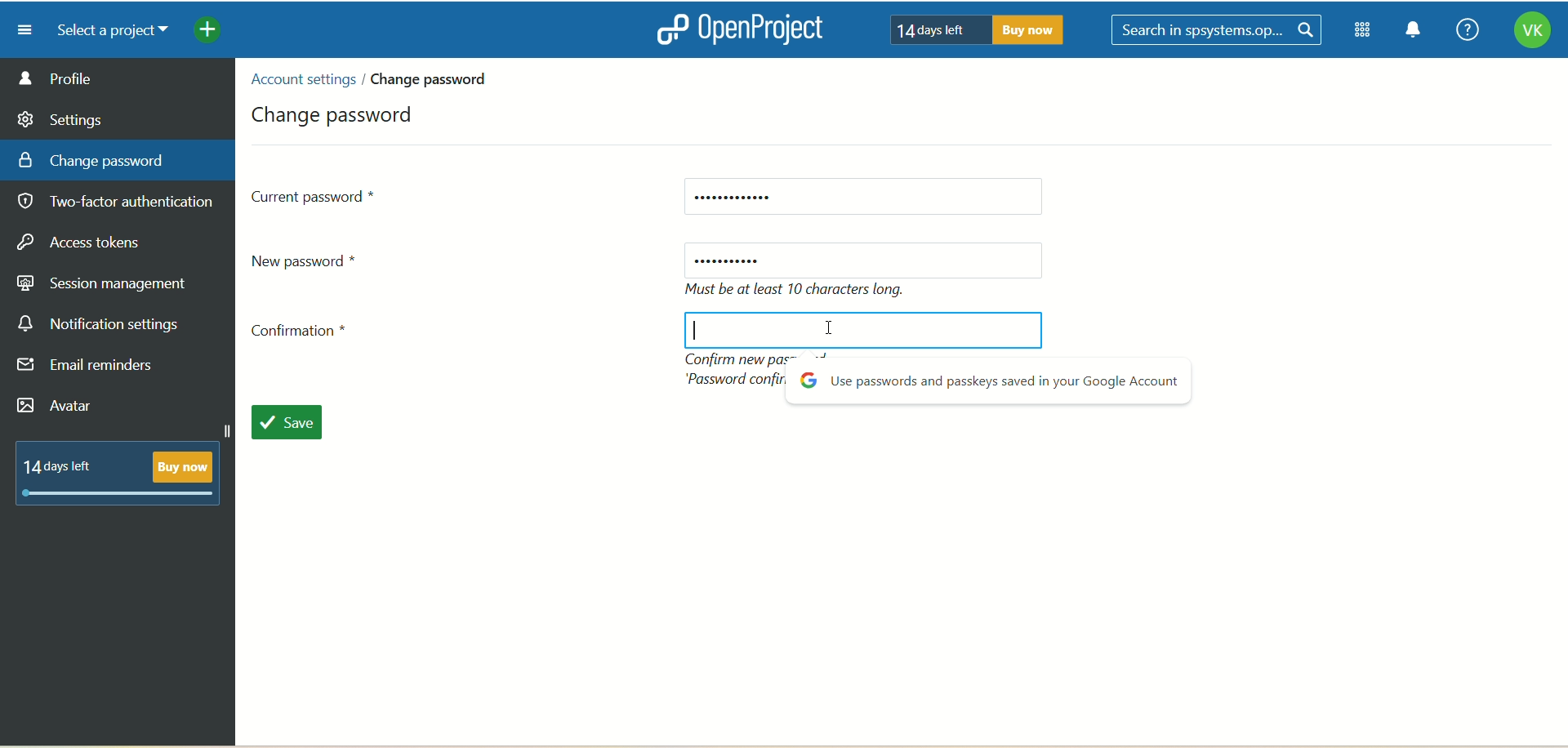 The image size is (1568, 748). What do you see at coordinates (855, 330) in the screenshot?
I see `blank space` at bounding box center [855, 330].